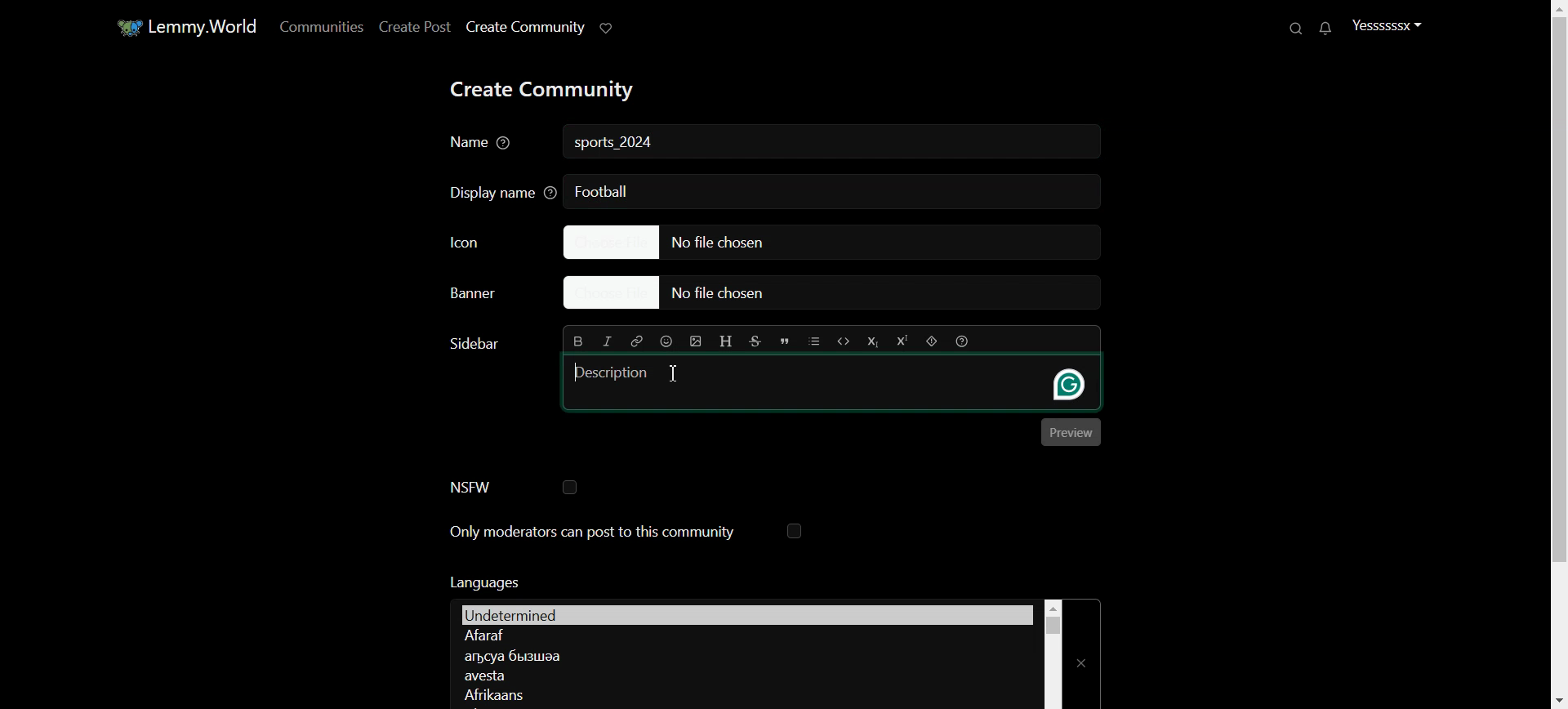 The width and height of the screenshot is (1568, 709). What do you see at coordinates (318, 26) in the screenshot?
I see `Communities` at bounding box center [318, 26].